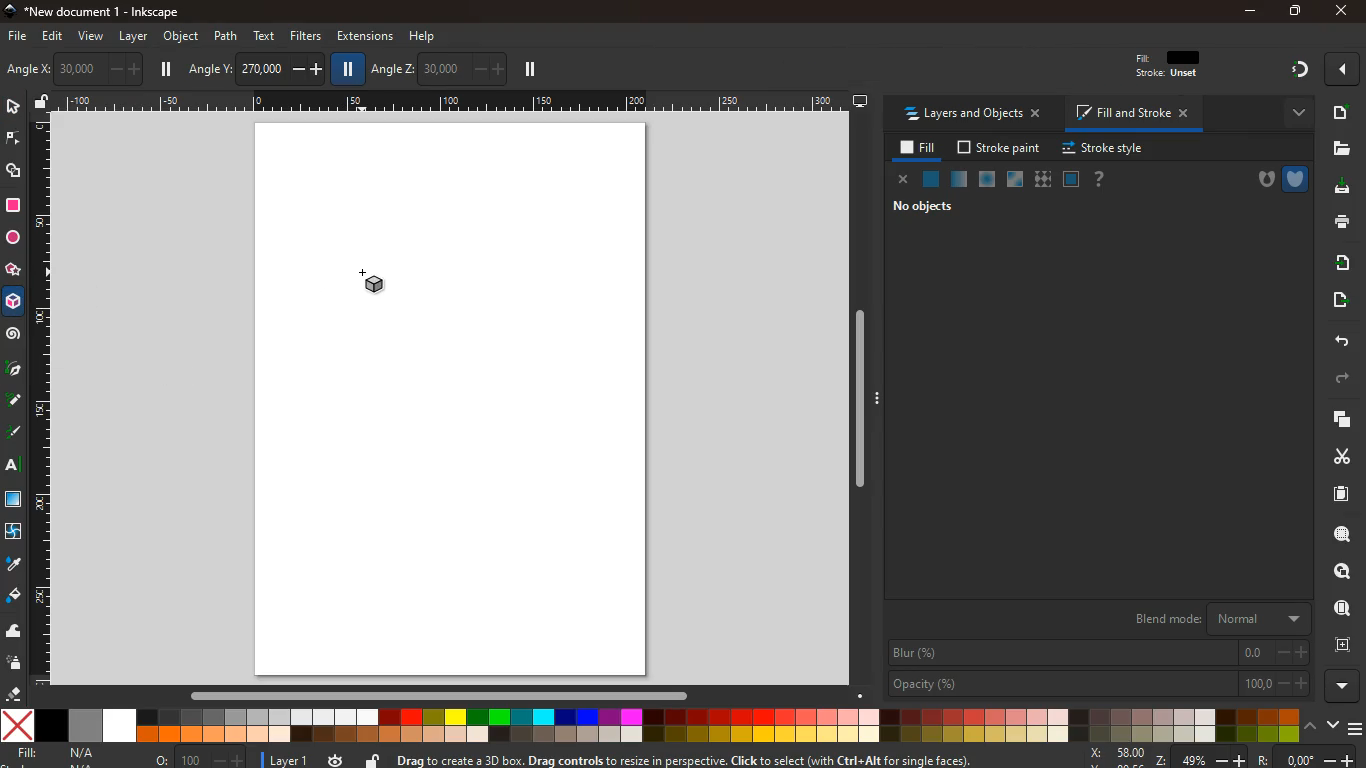 The image size is (1366, 768). I want to click on color, so click(649, 726).